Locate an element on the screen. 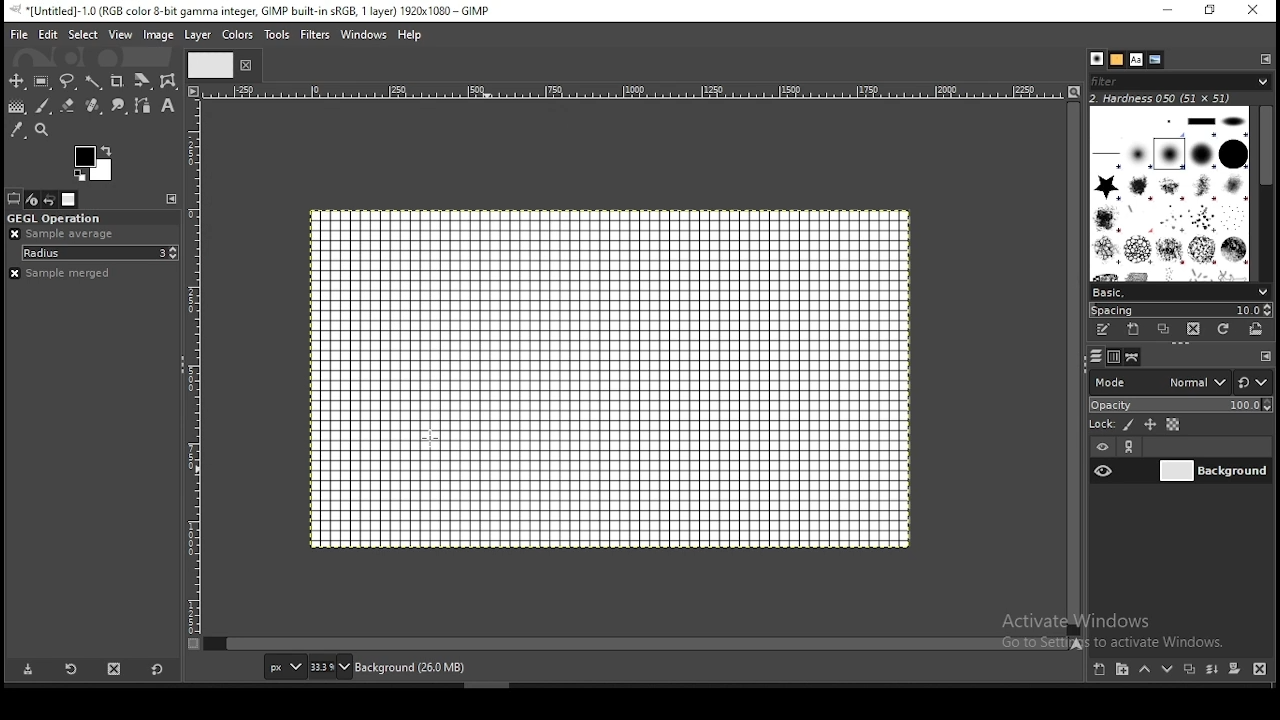 The image size is (1280, 720). brushes is located at coordinates (1168, 194).